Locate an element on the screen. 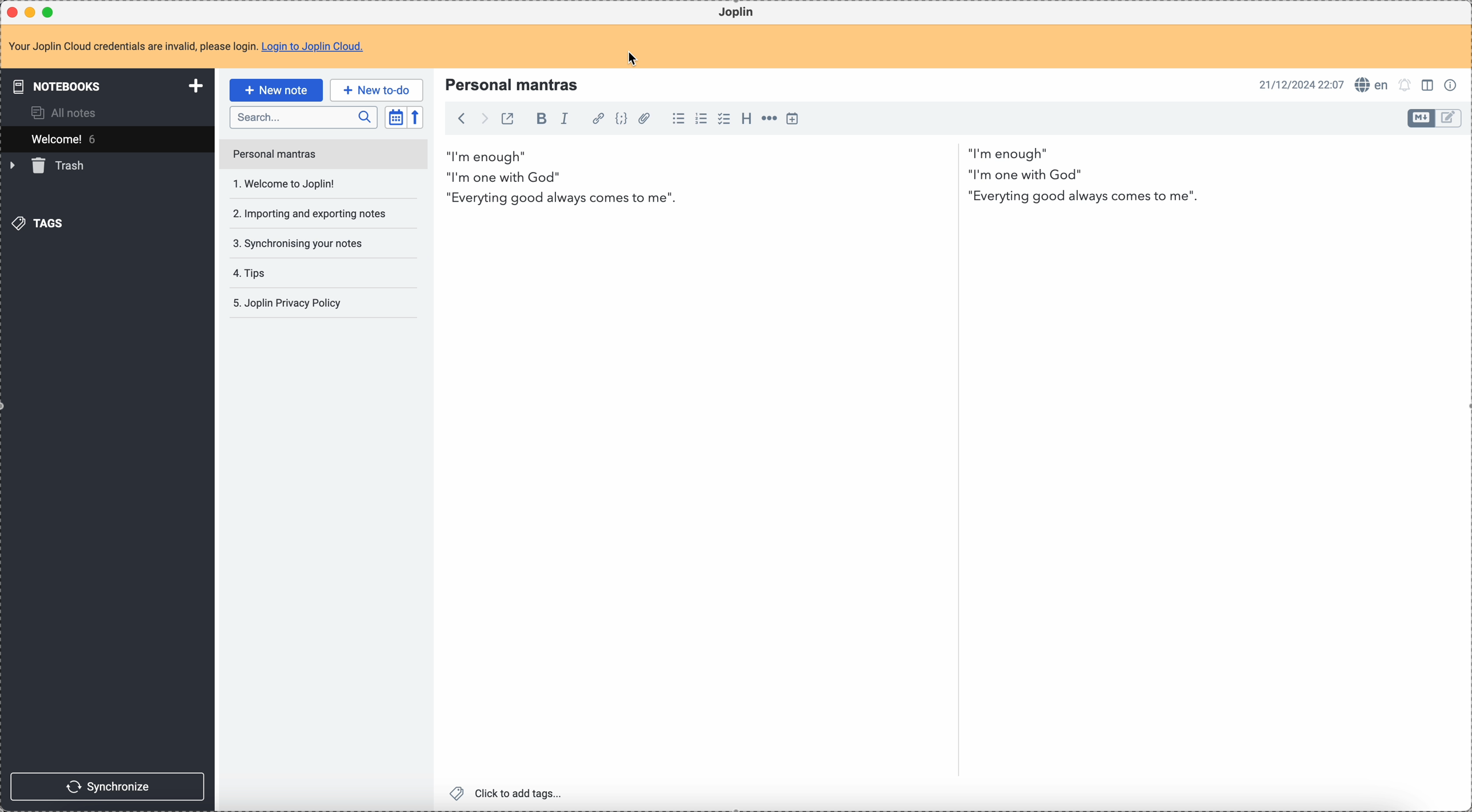  maximize program is located at coordinates (49, 11).